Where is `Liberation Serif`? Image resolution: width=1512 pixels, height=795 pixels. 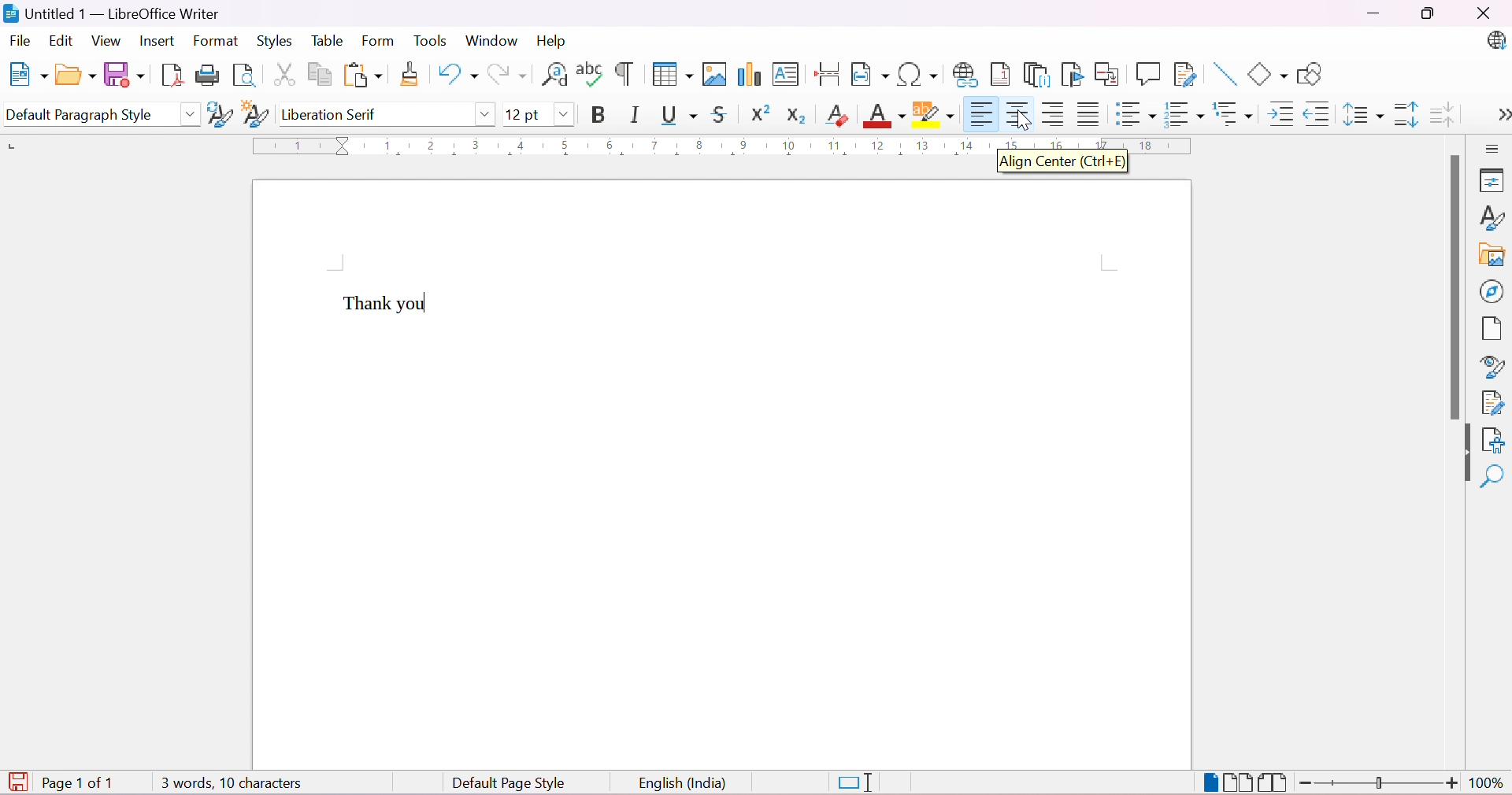 Liberation Serif is located at coordinates (332, 116).